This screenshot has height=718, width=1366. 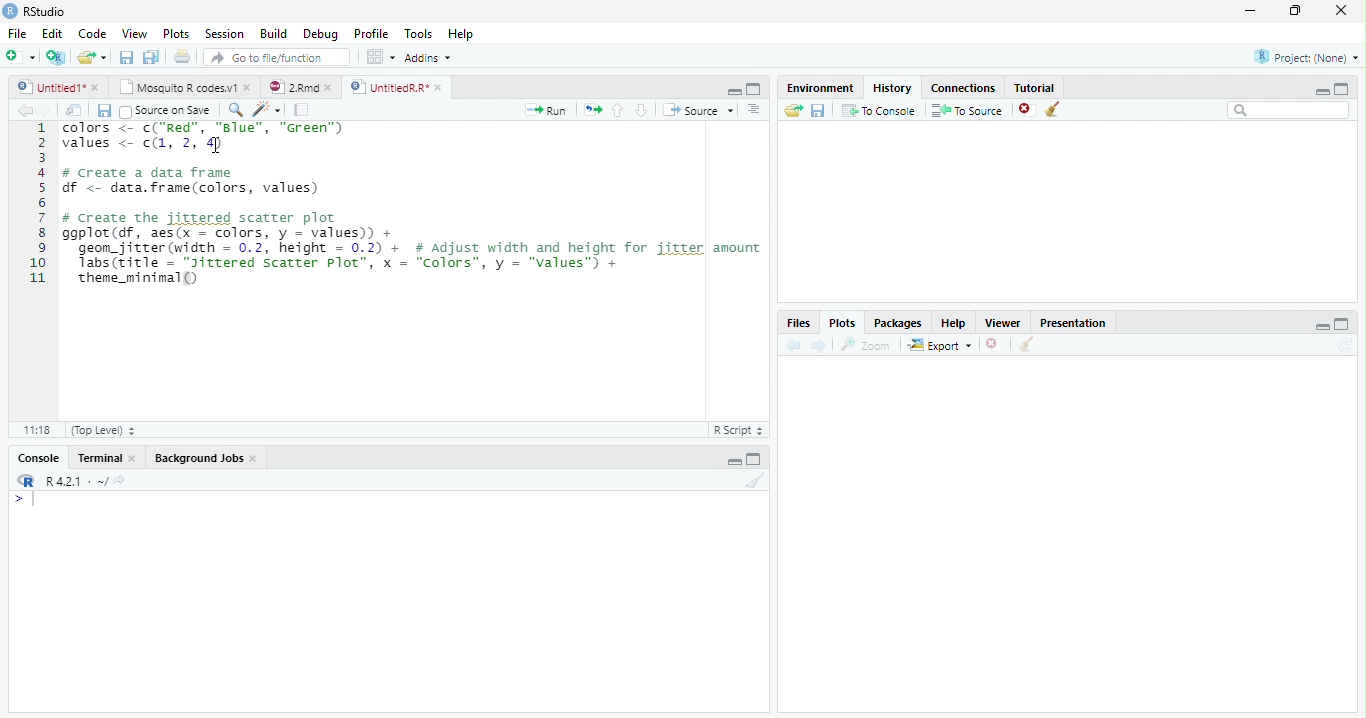 What do you see at coordinates (617, 110) in the screenshot?
I see `Go to previous section/chunk` at bounding box center [617, 110].